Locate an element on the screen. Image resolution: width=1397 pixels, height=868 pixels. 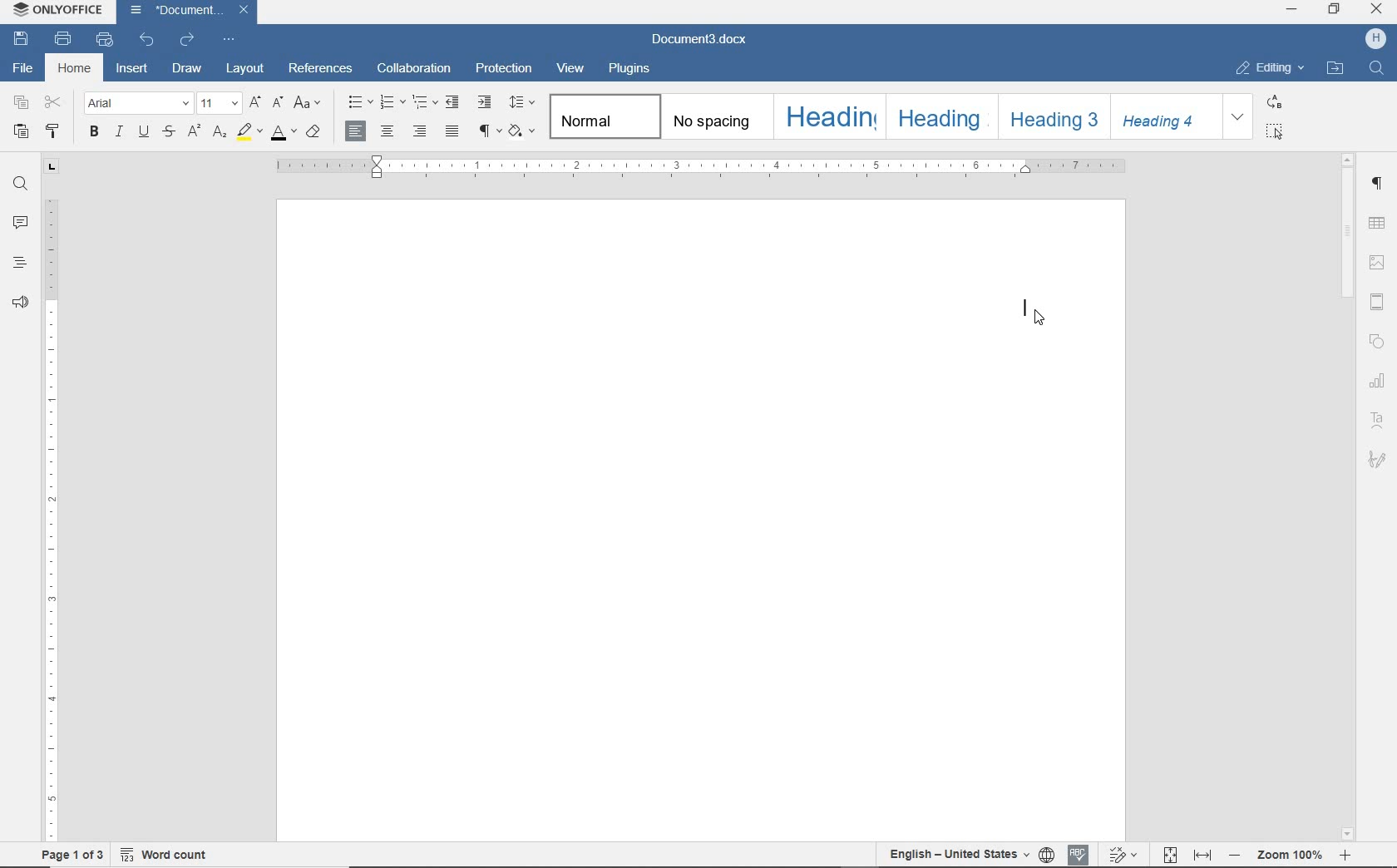
STRIKETHROUGH is located at coordinates (169, 133).